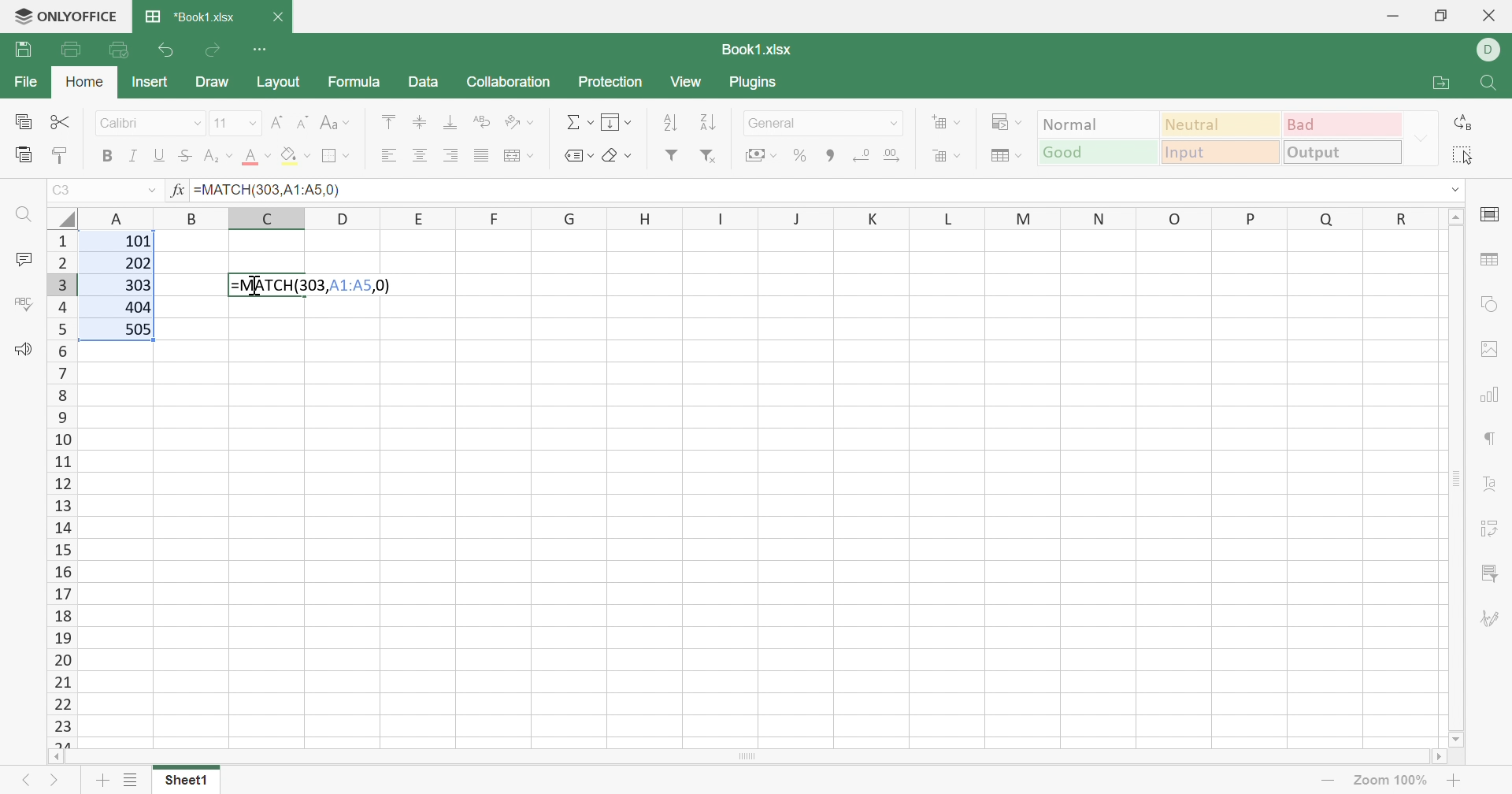  Describe the element at coordinates (1344, 151) in the screenshot. I see `Output` at that location.